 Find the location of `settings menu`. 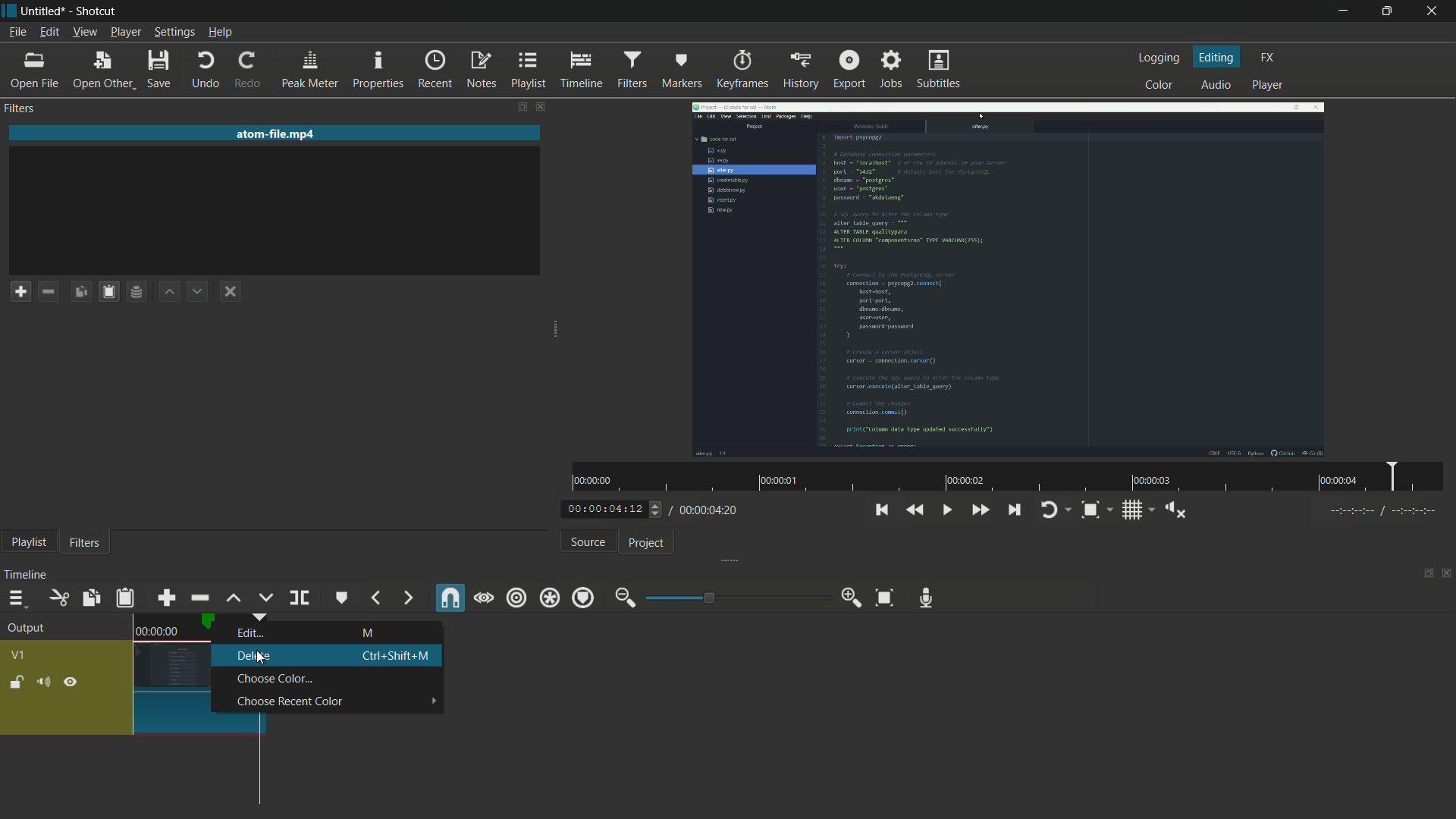

settings menu is located at coordinates (177, 32).